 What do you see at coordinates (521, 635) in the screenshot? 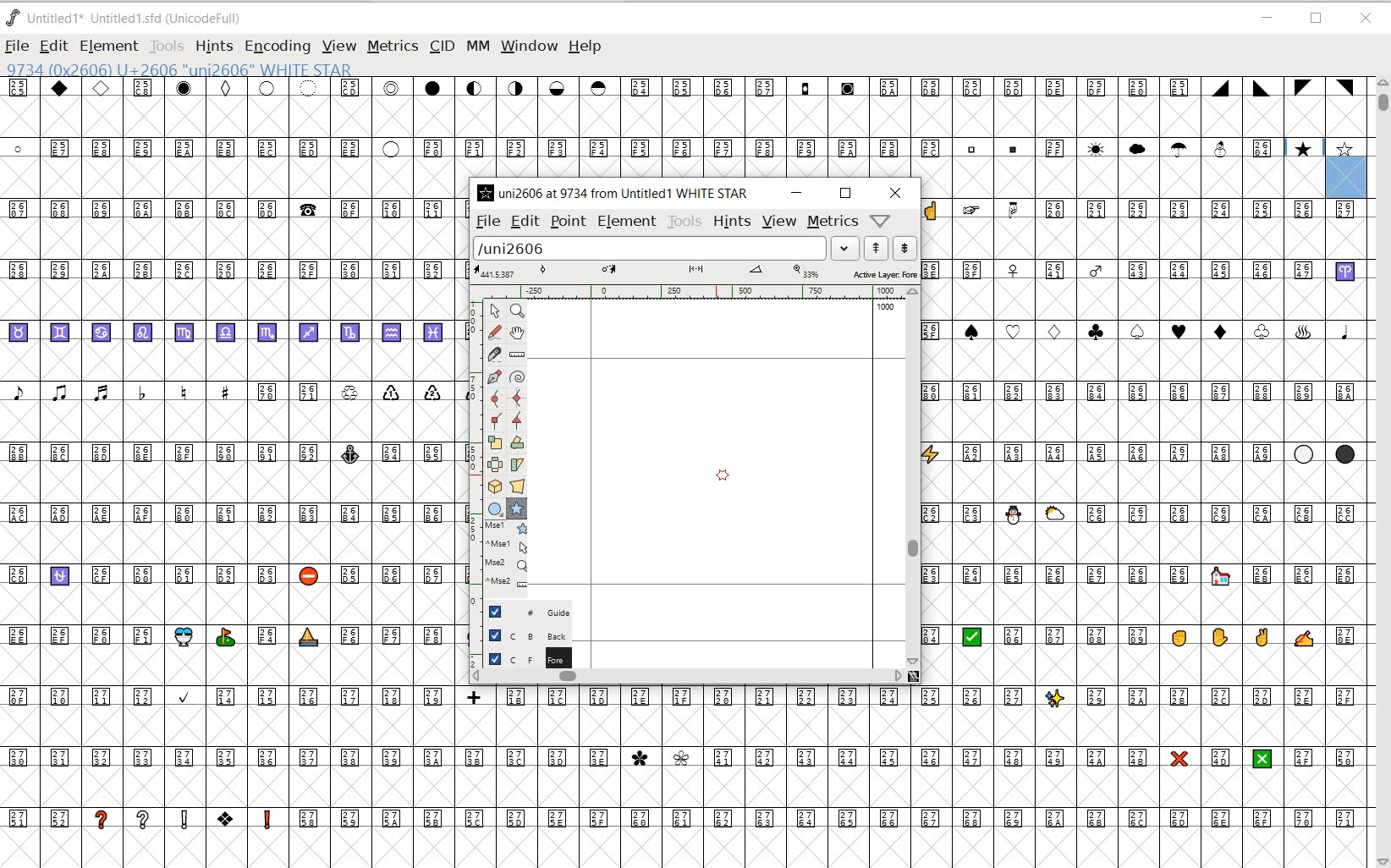
I see `BACKGROUND` at bounding box center [521, 635].